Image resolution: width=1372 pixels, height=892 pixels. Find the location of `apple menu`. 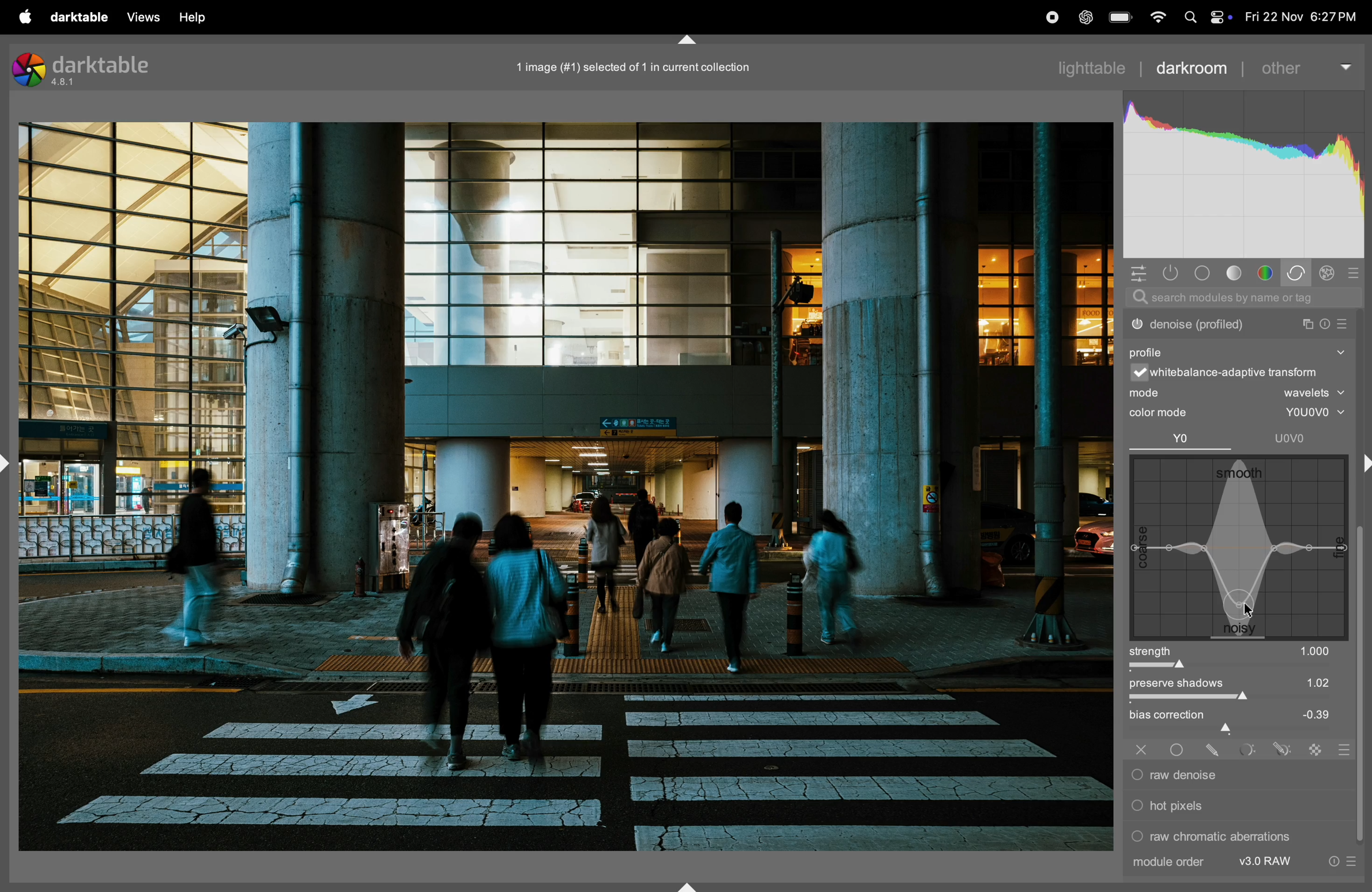

apple menu is located at coordinates (25, 17).